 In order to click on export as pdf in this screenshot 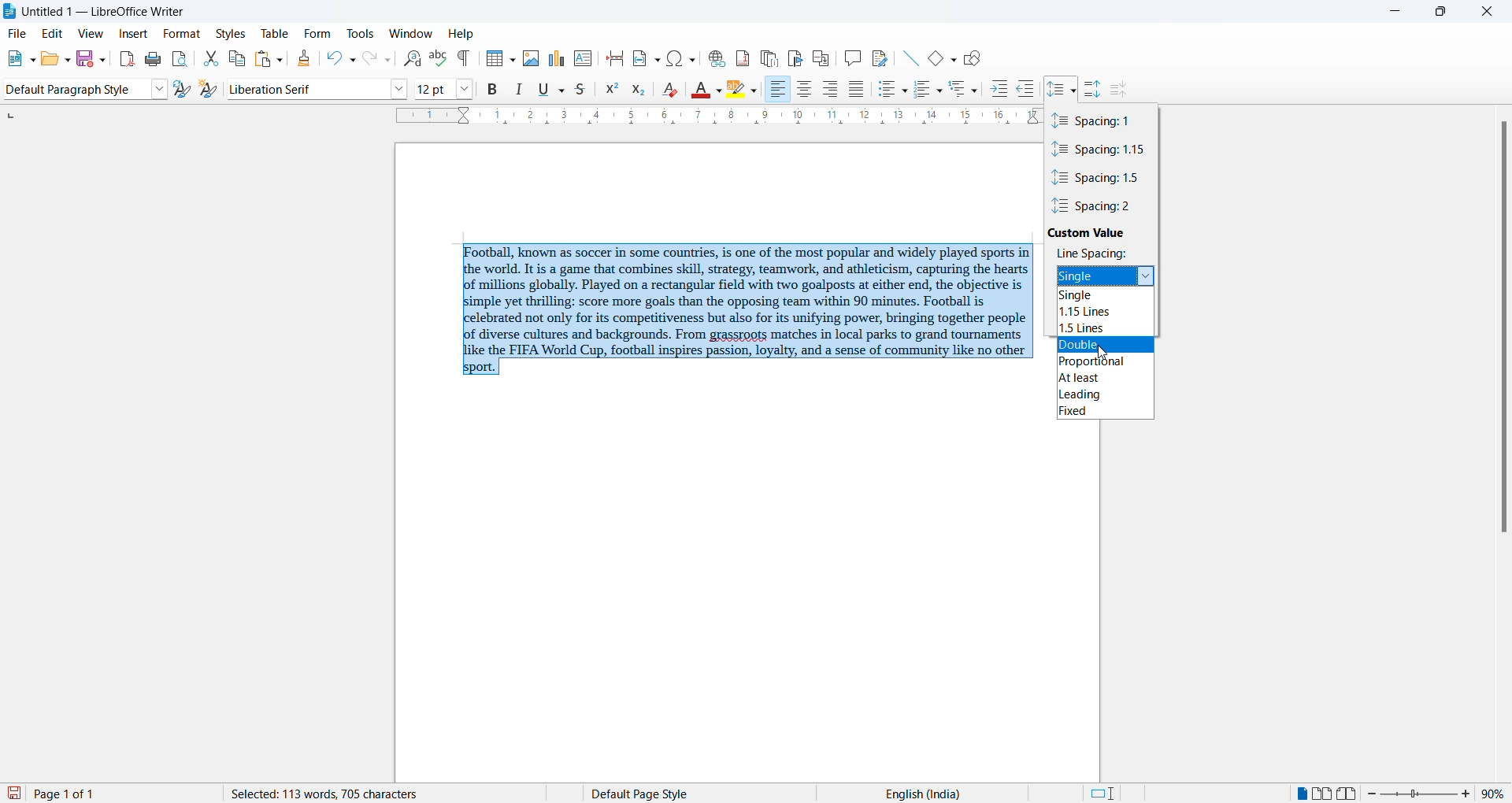, I will do `click(124, 59)`.